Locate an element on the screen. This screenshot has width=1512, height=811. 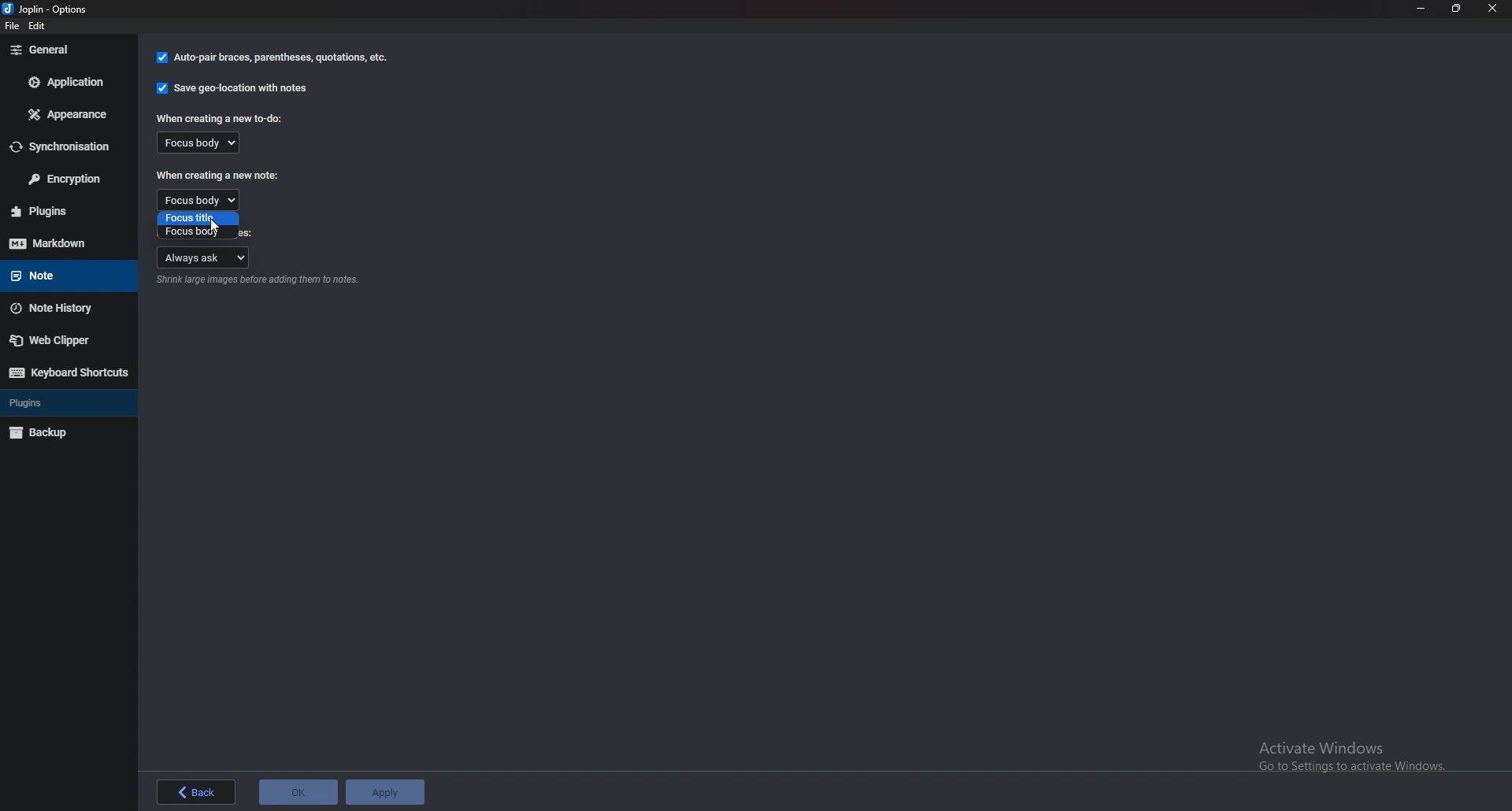
Encryption is located at coordinates (64, 179).